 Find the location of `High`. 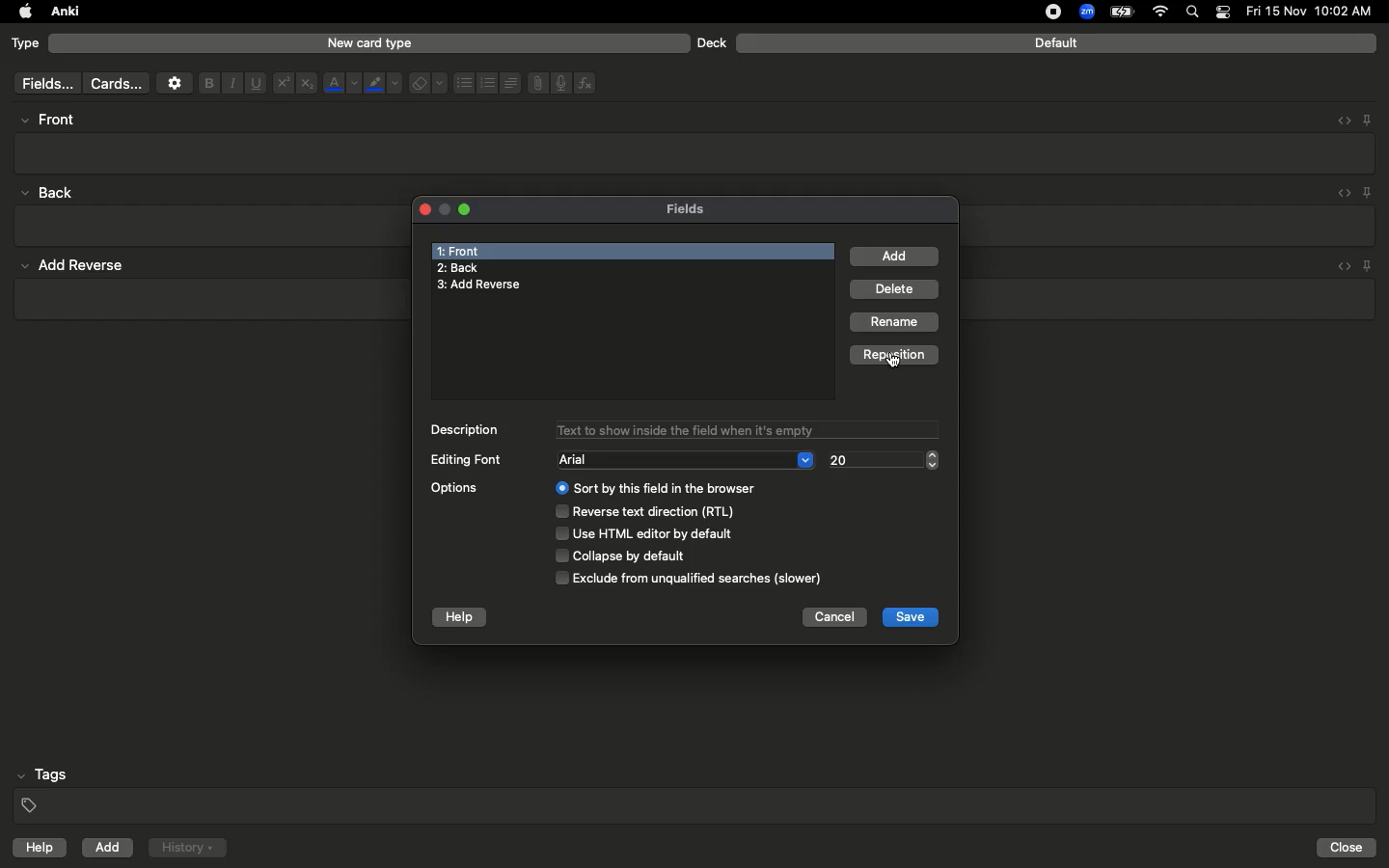

High is located at coordinates (54, 120).